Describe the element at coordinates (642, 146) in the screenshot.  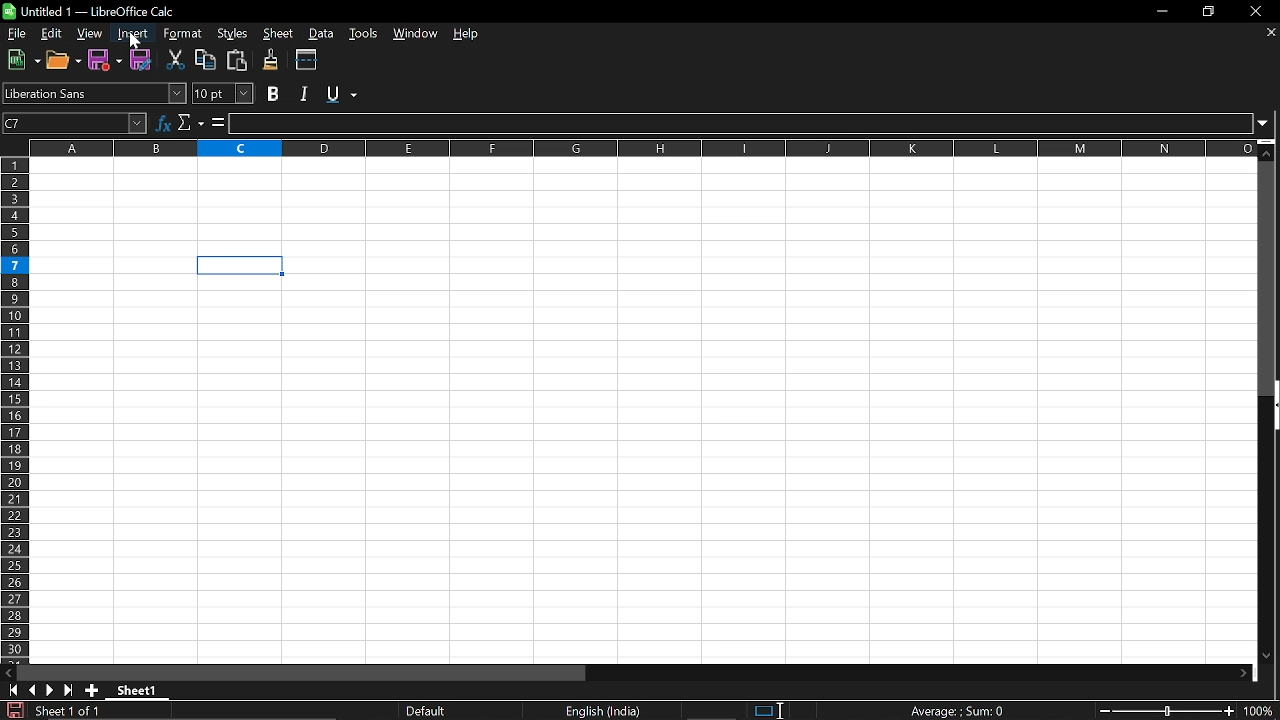
I see `Columns` at that location.